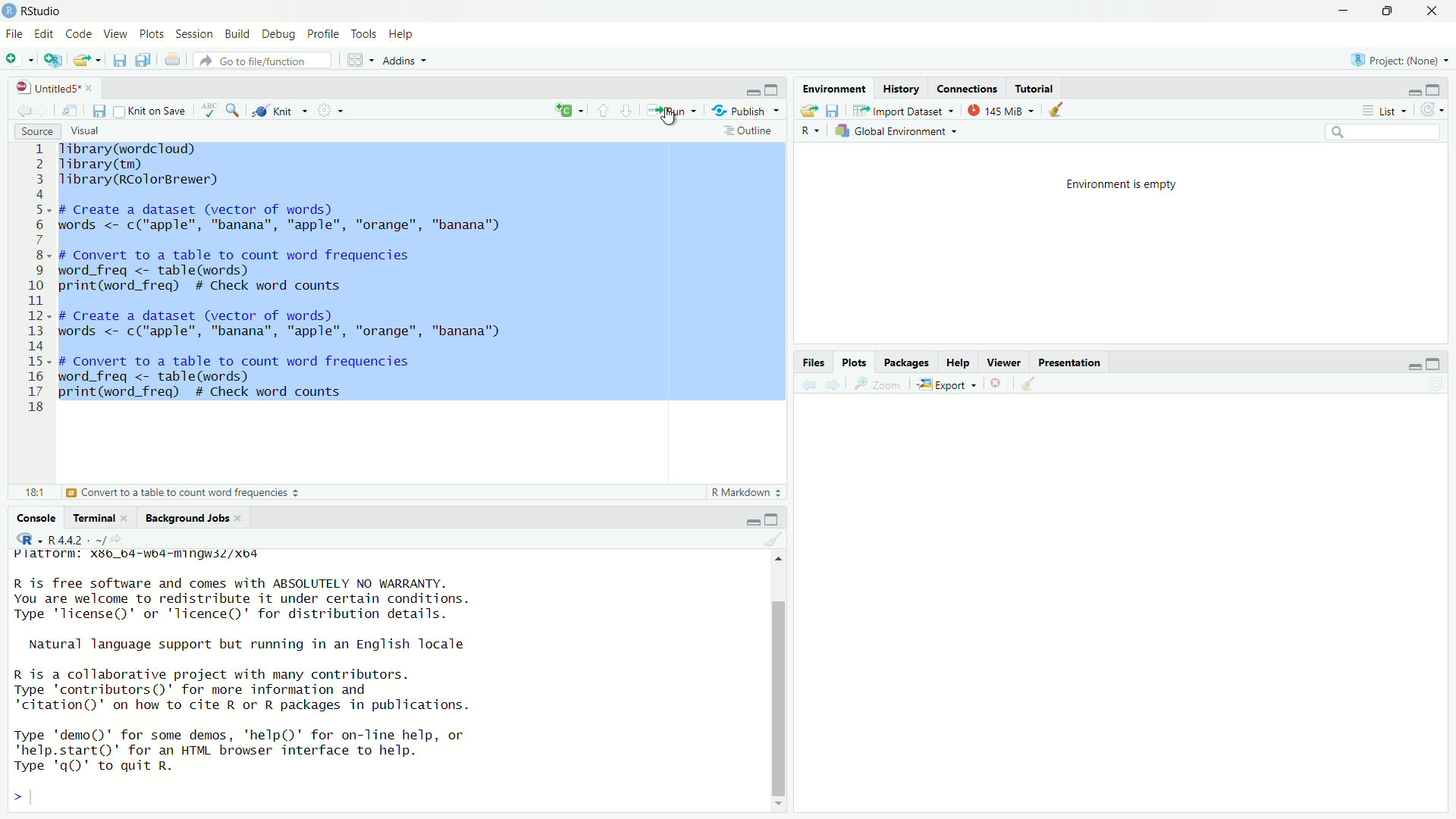 Image resolution: width=1456 pixels, height=819 pixels. Describe the element at coordinates (1380, 133) in the screenshot. I see `Search` at that location.